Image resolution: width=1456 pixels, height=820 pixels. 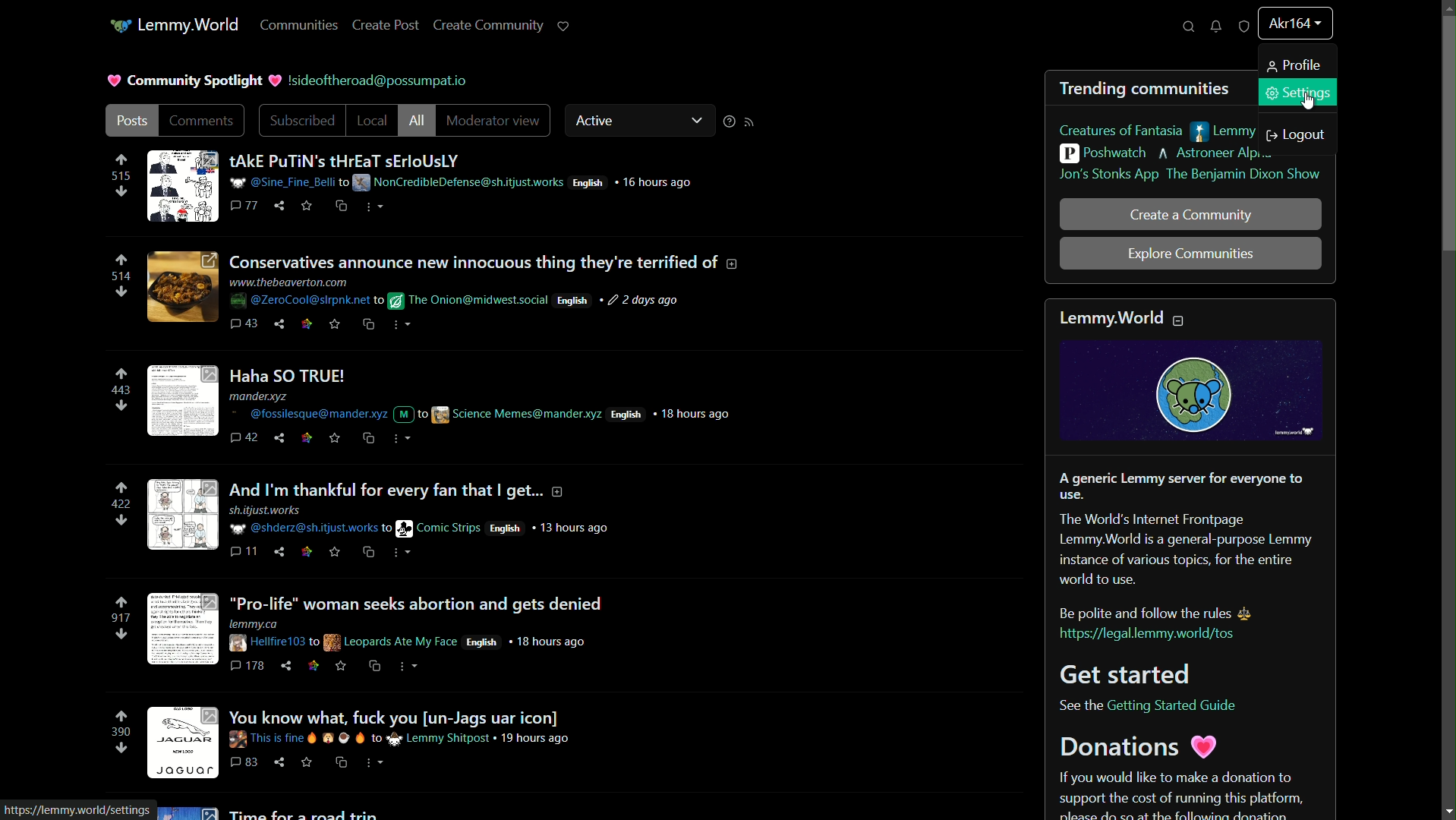 What do you see at coordinates (380, 80) in the screenshot?
I see `cursor` at bounding box center [380, 80].